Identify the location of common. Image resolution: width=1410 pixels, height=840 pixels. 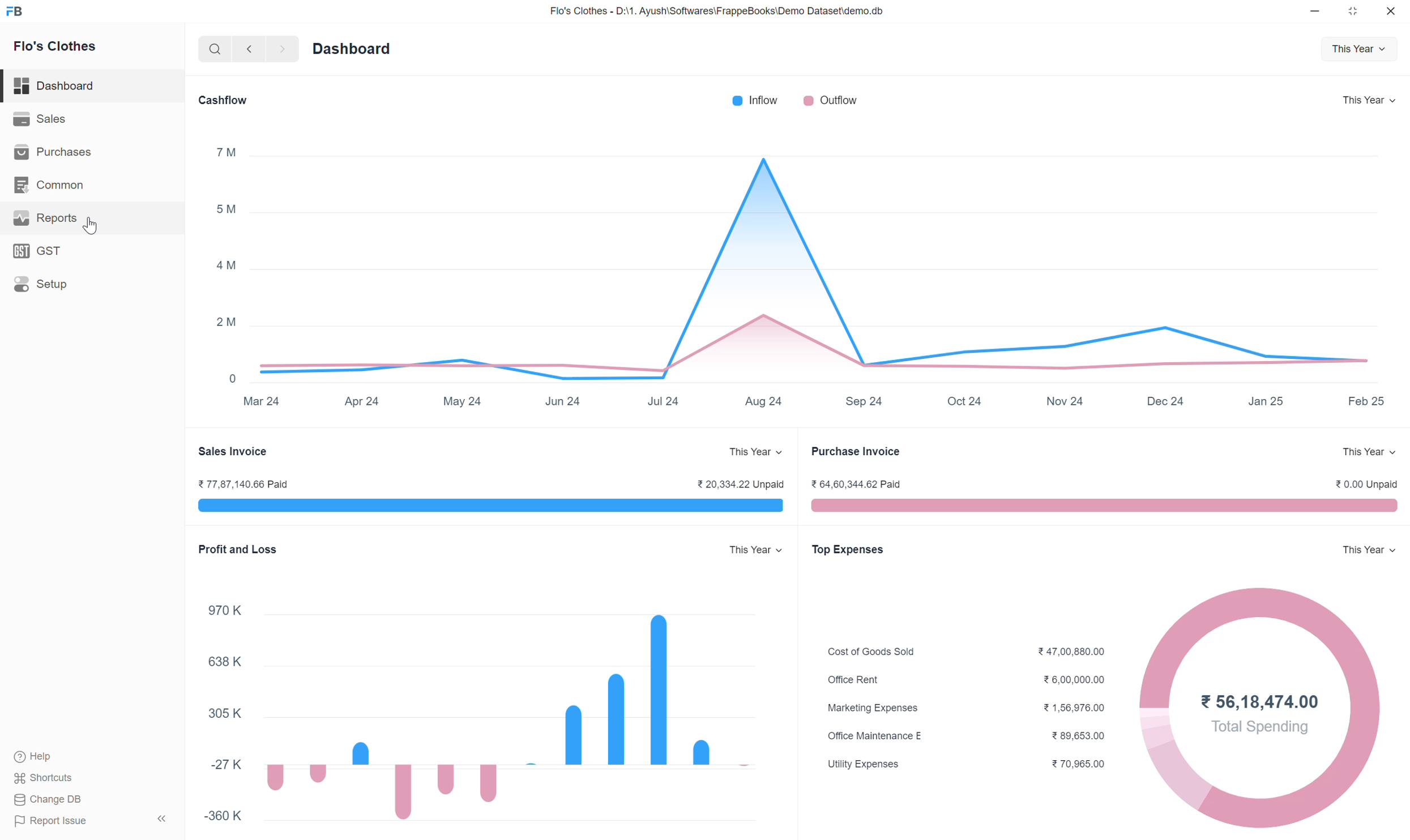
(49, 183).